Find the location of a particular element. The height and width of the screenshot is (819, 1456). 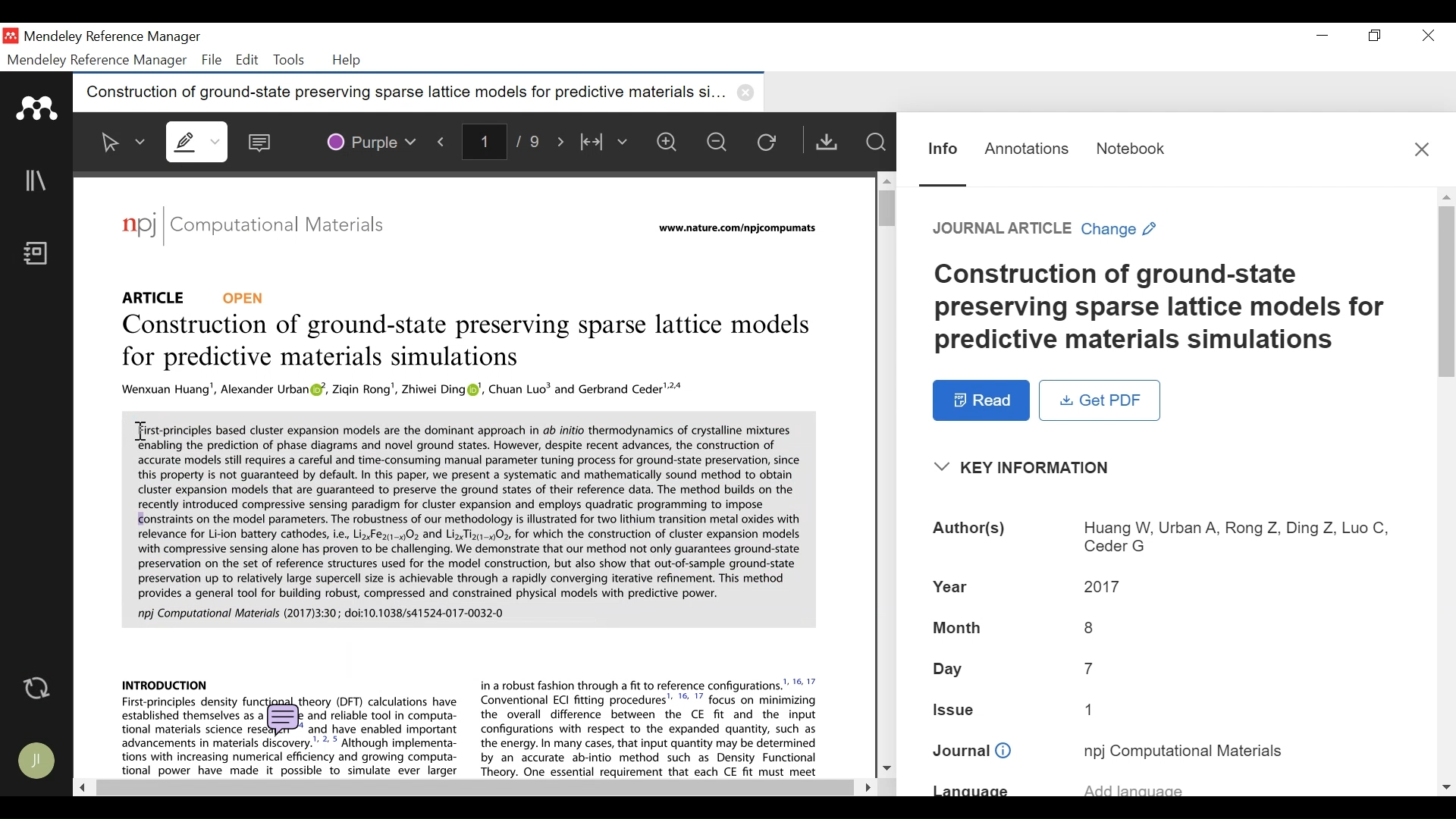

Year is located at coordinates (953, 585).